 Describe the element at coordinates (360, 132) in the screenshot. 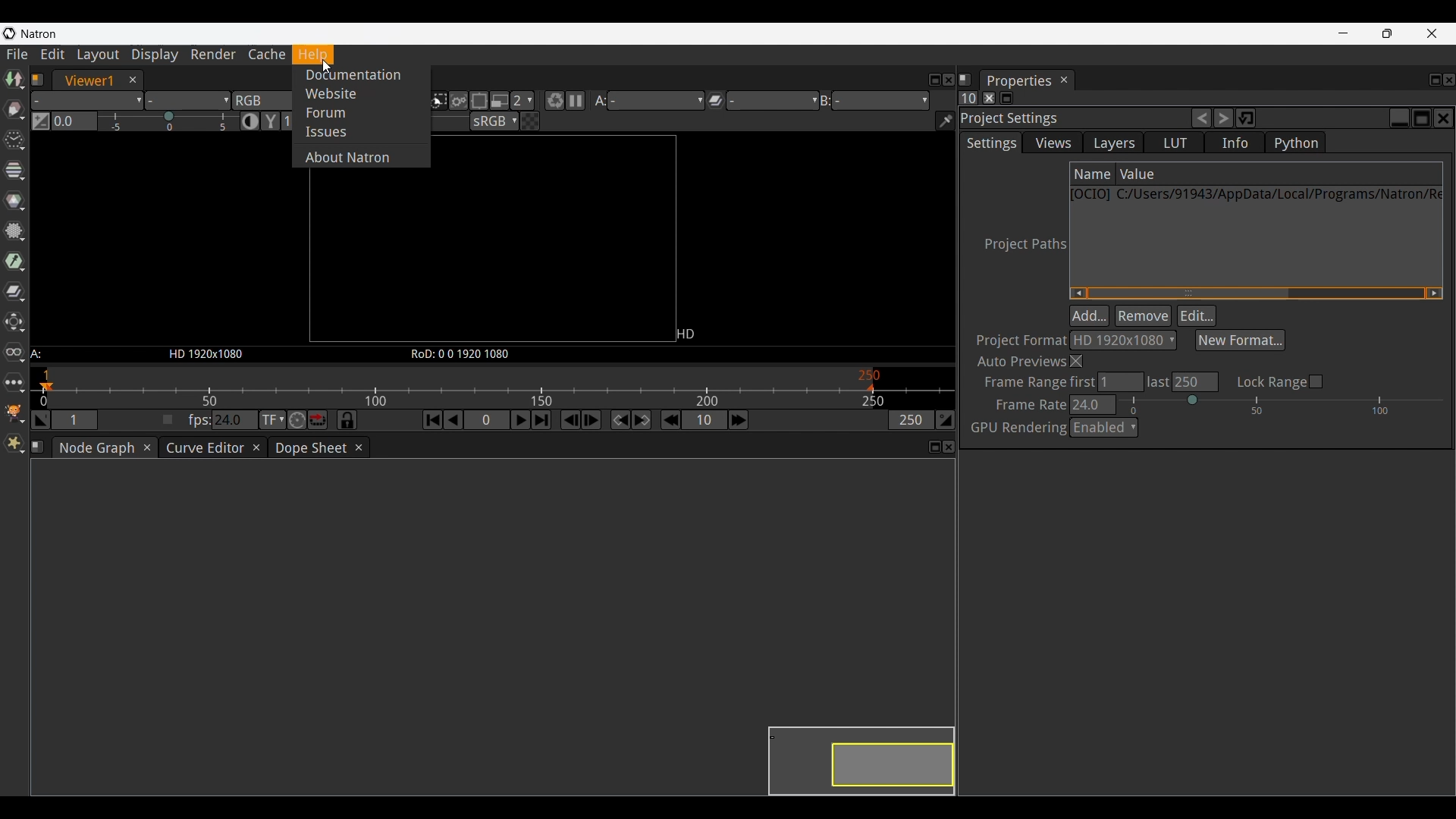

I see `Issues` at that location.